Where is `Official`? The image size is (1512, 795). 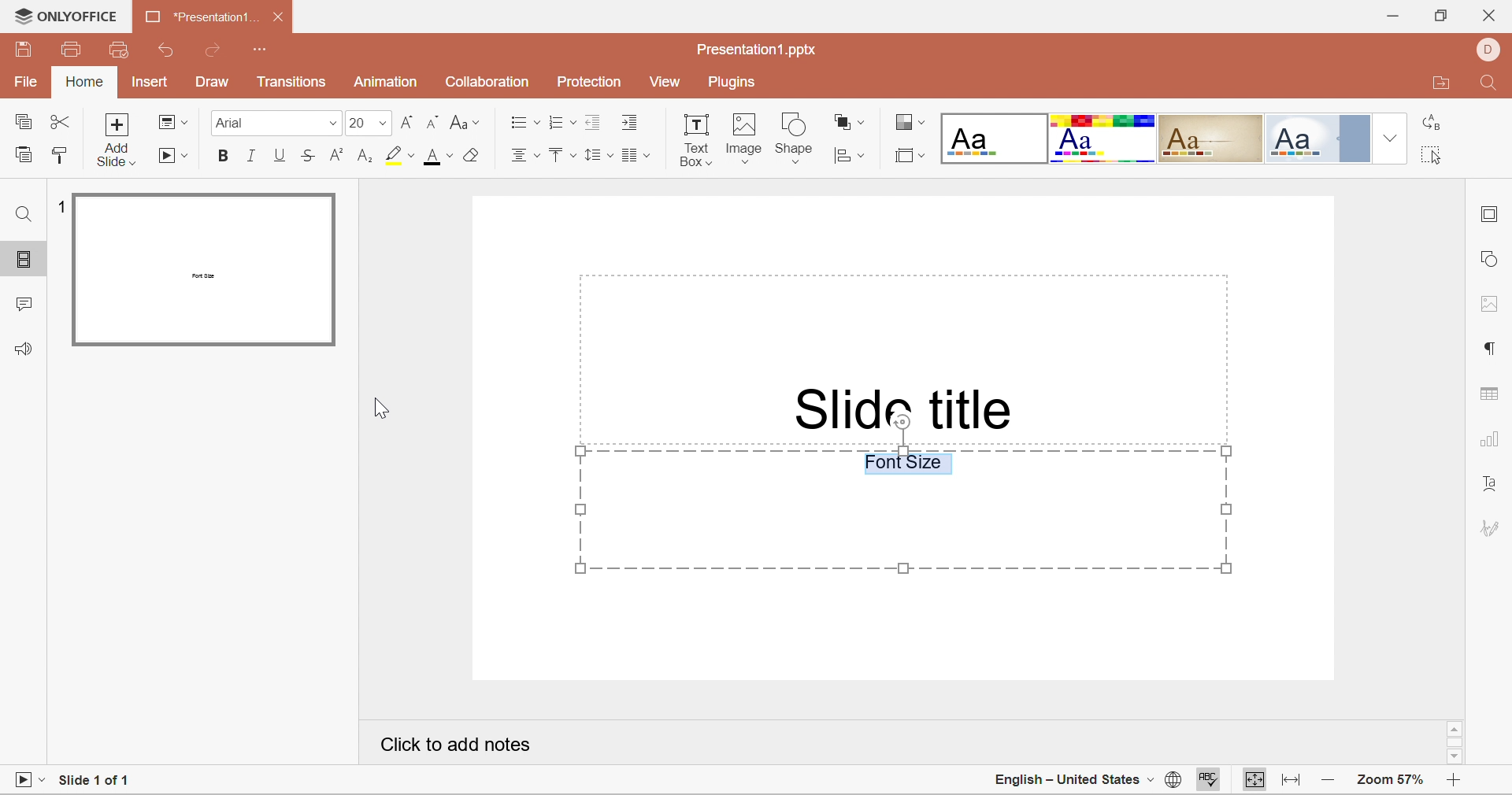 Official is located at coordinates (1320, 138).